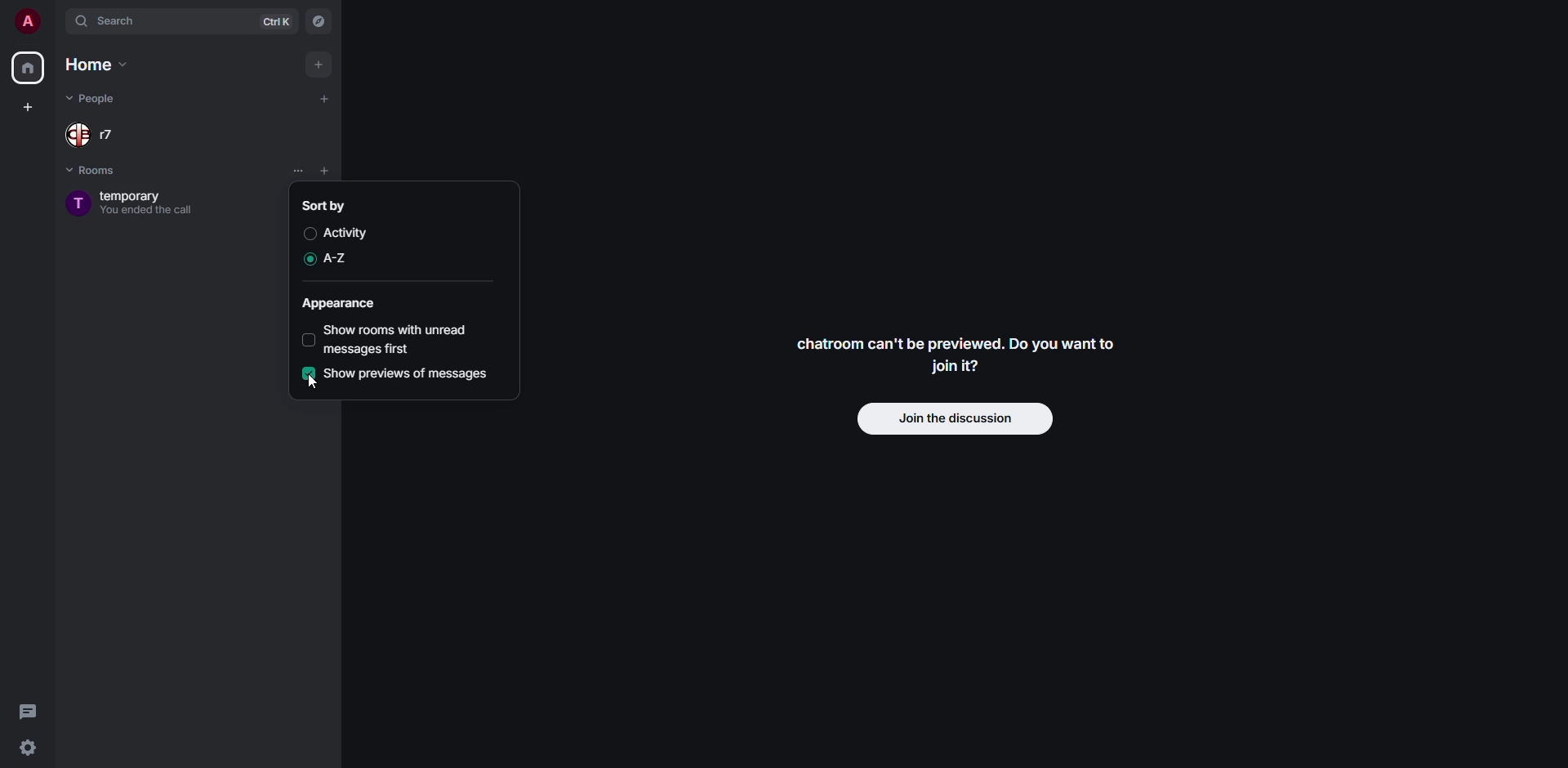 The width and height of the screenshot is (1568, 768). I want to click on people, so click(88, 136).